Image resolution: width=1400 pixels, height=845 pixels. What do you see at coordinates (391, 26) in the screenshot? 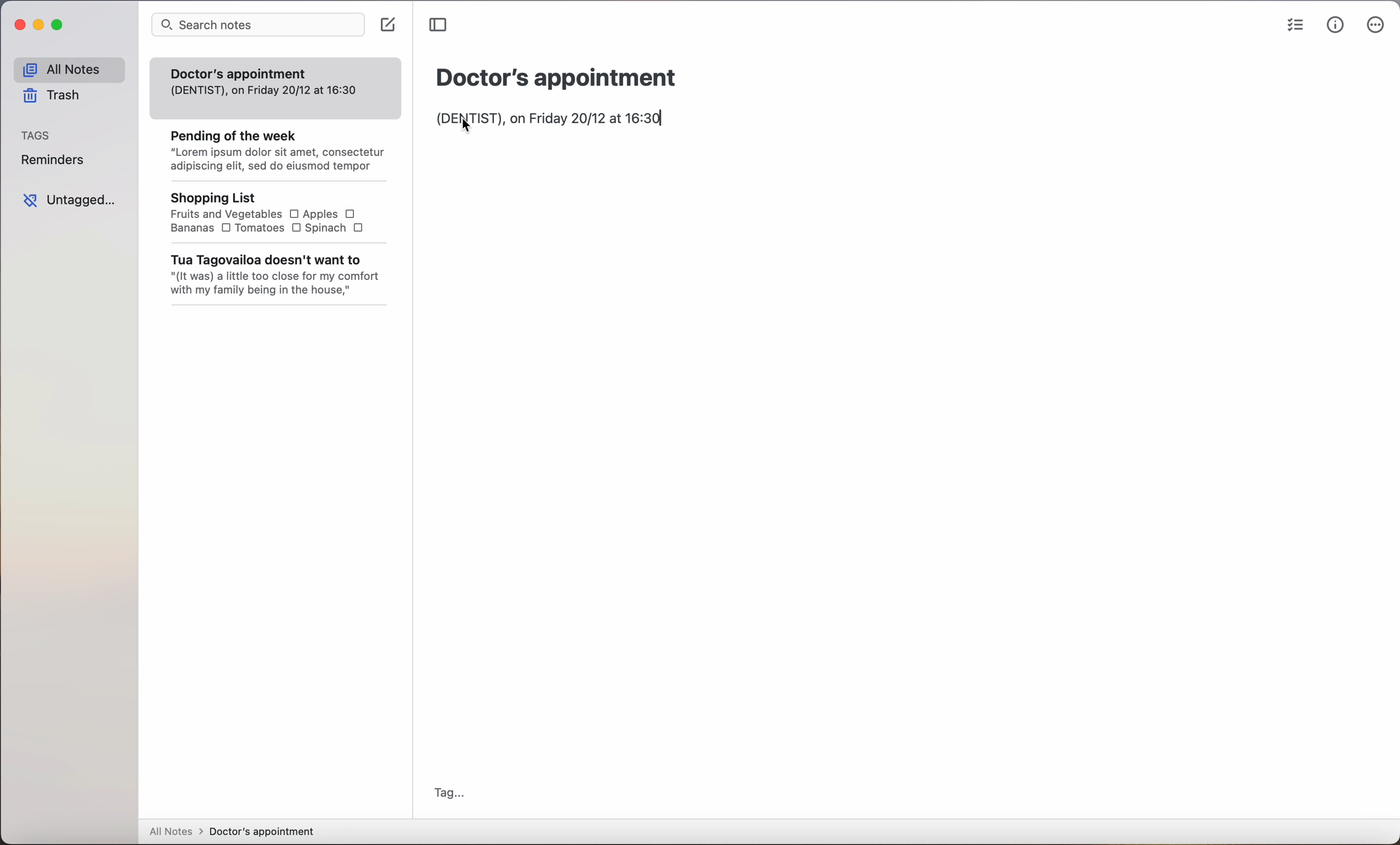
I see `create note` at bounding box center [391, 26].